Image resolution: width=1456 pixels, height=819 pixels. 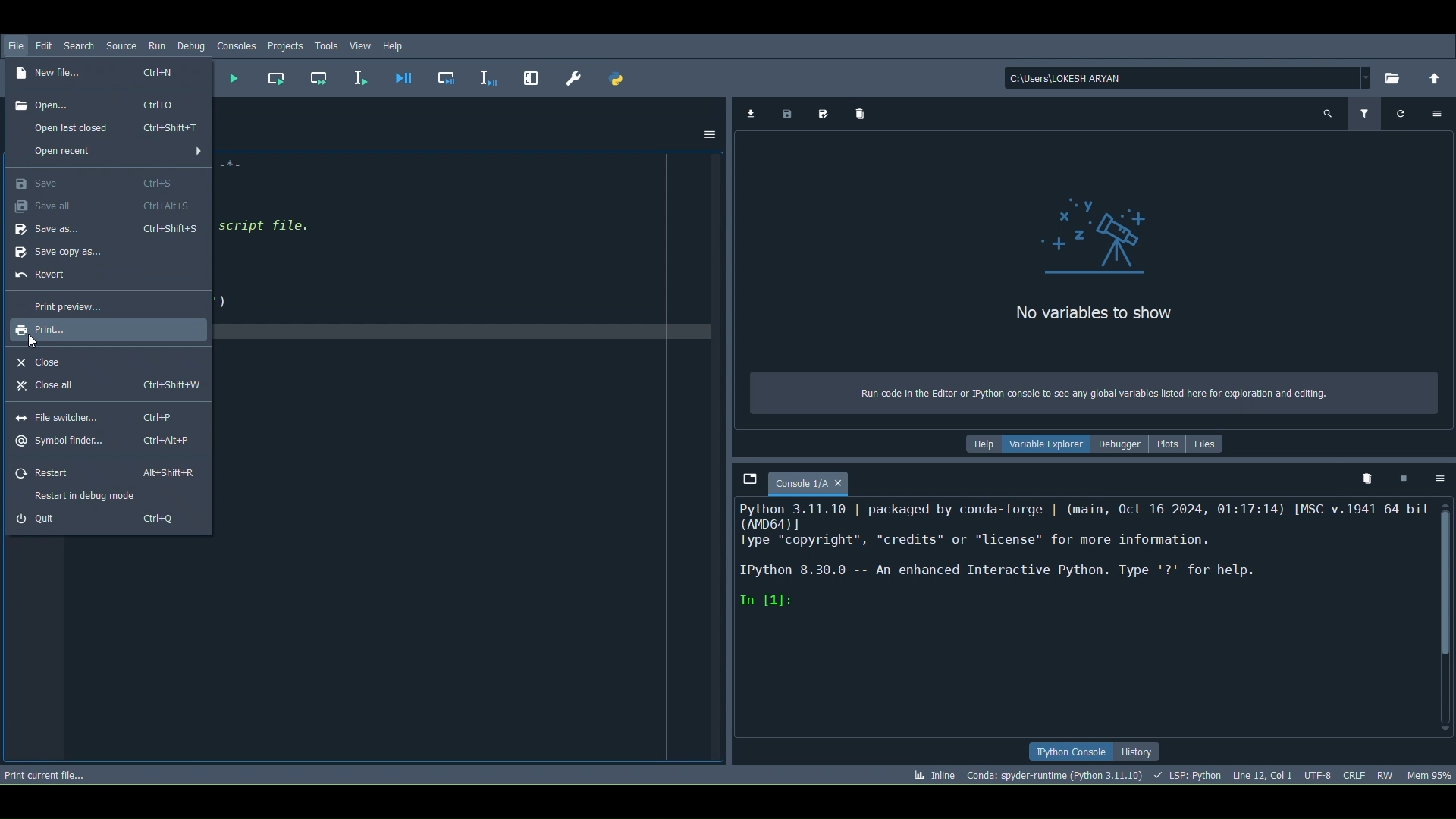 I want to click on Save data as, so click(x=827, y=114).